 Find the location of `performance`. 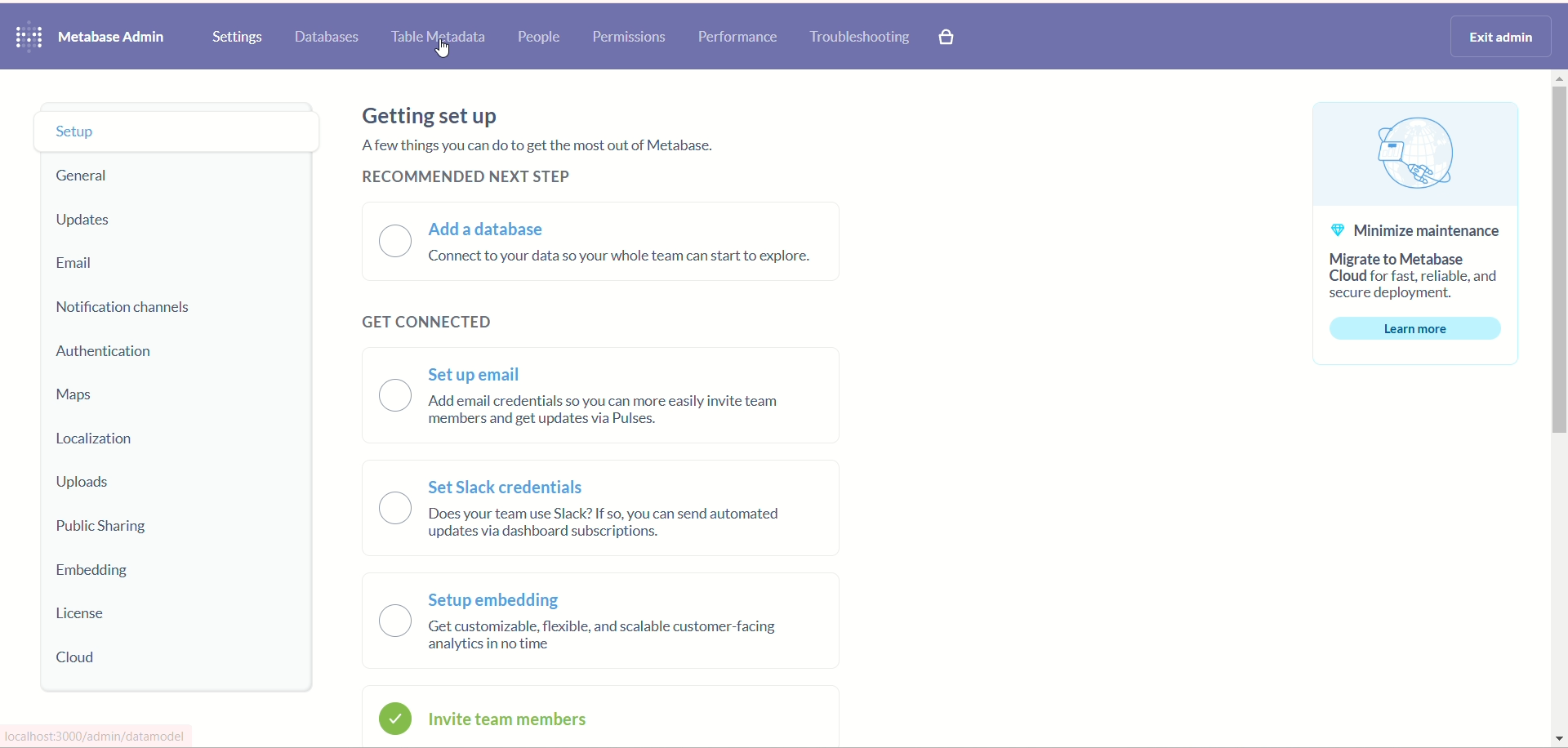

performance is located at coordinates (742, 36).